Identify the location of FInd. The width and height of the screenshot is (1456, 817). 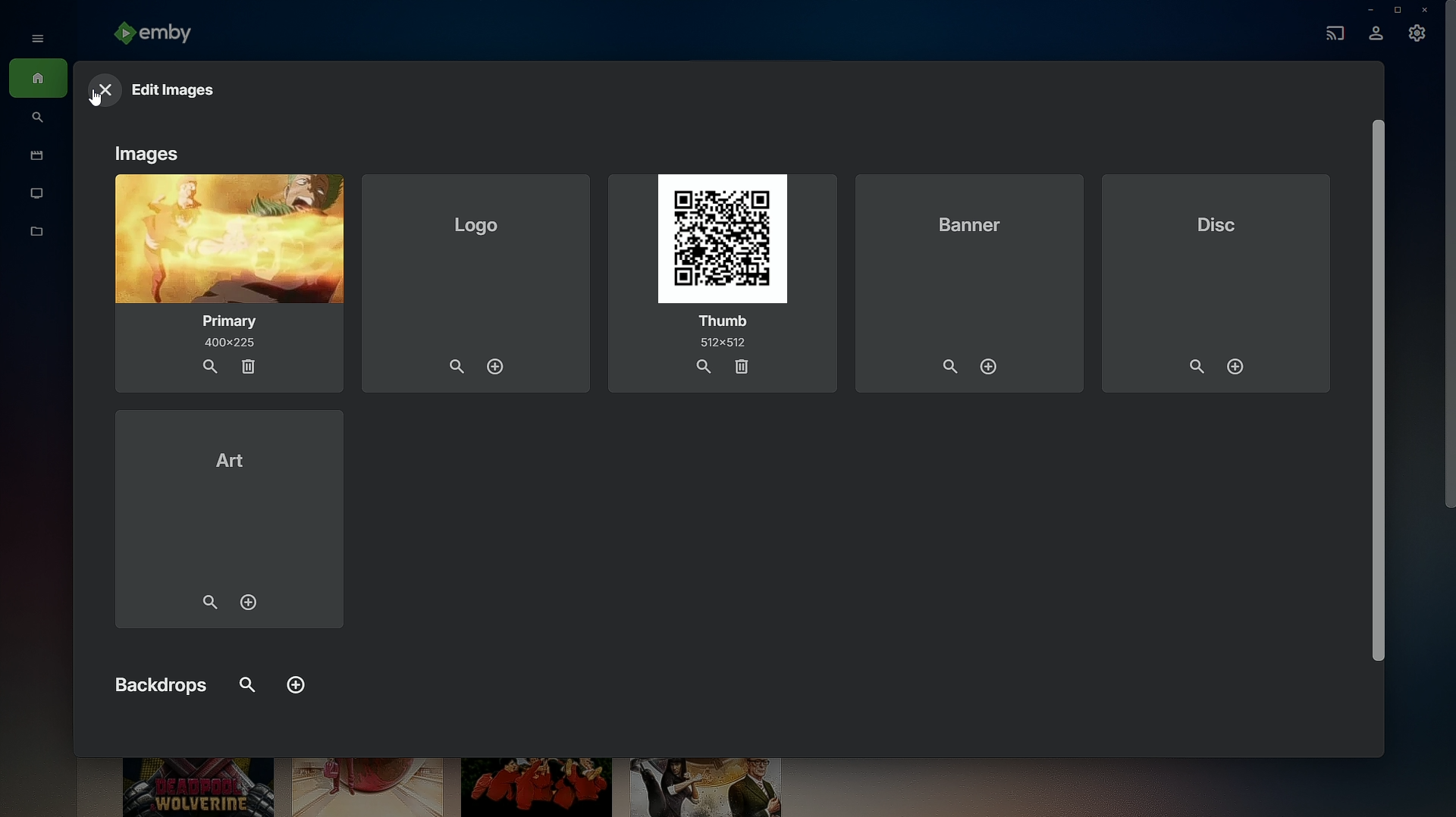
(244, 681).